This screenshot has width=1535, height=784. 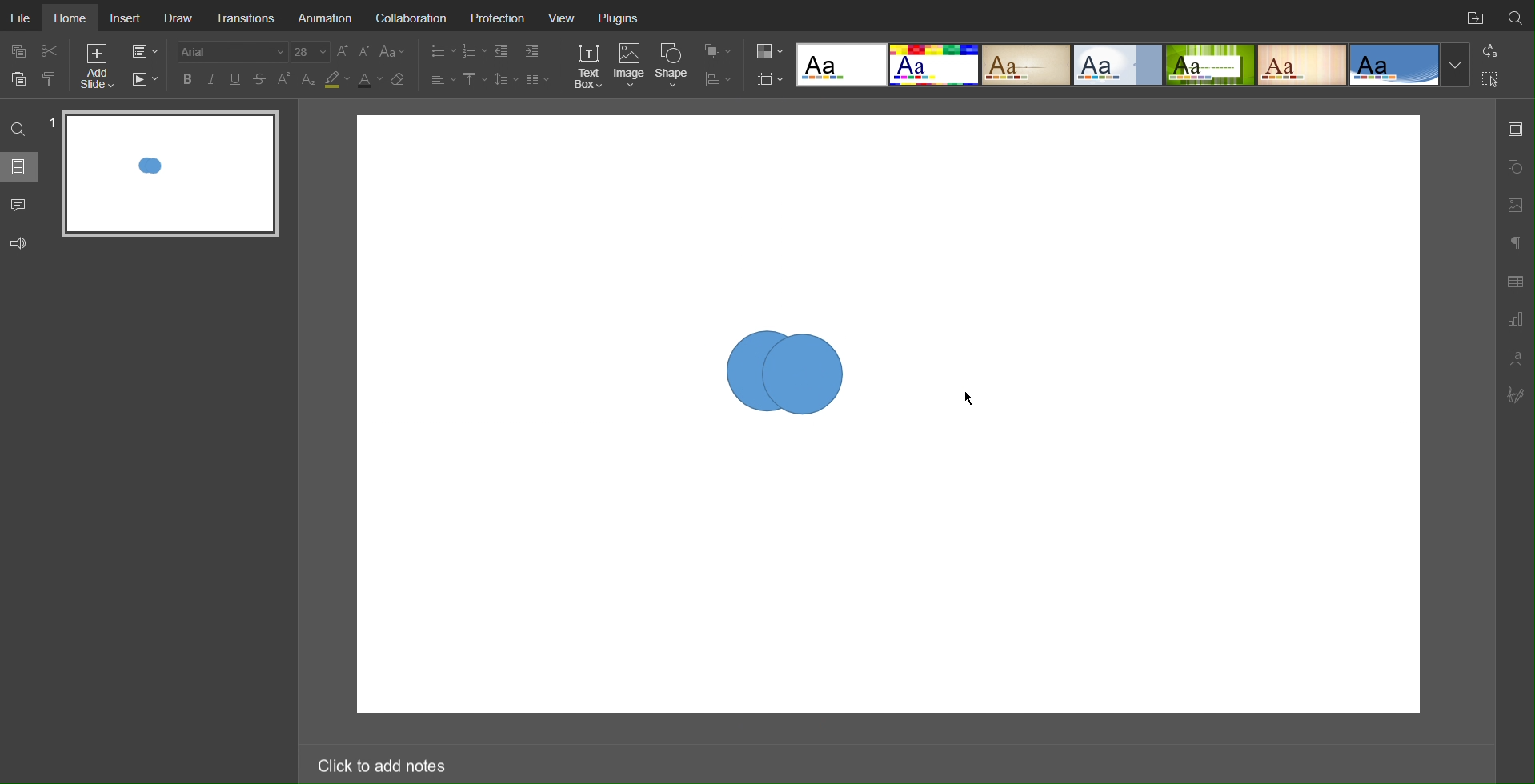 I want to click on copy, so click(x=22, y=53).